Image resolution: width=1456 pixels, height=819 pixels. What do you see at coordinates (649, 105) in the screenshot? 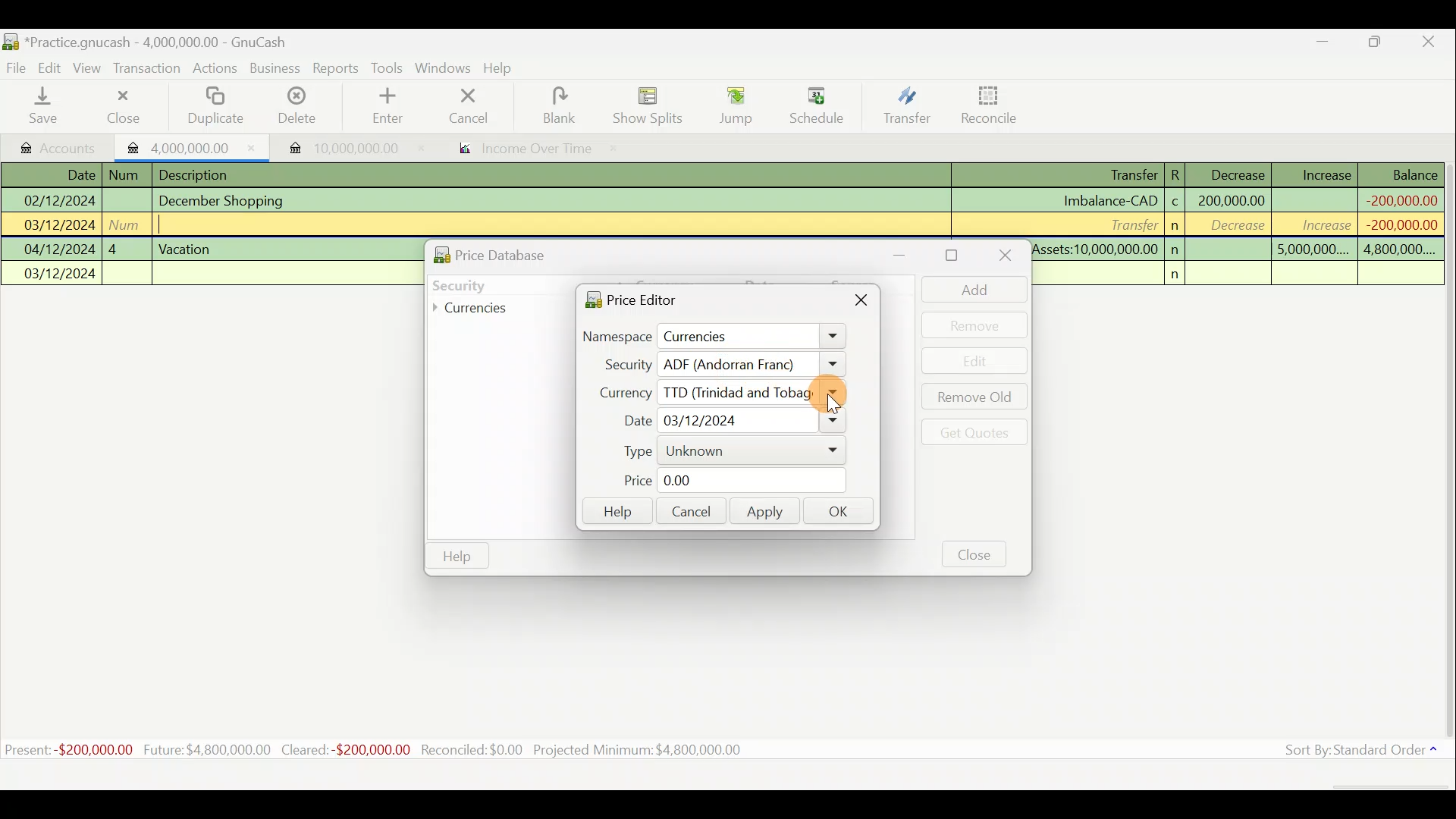
I see `Show splits` at bounding box center [649, 105].